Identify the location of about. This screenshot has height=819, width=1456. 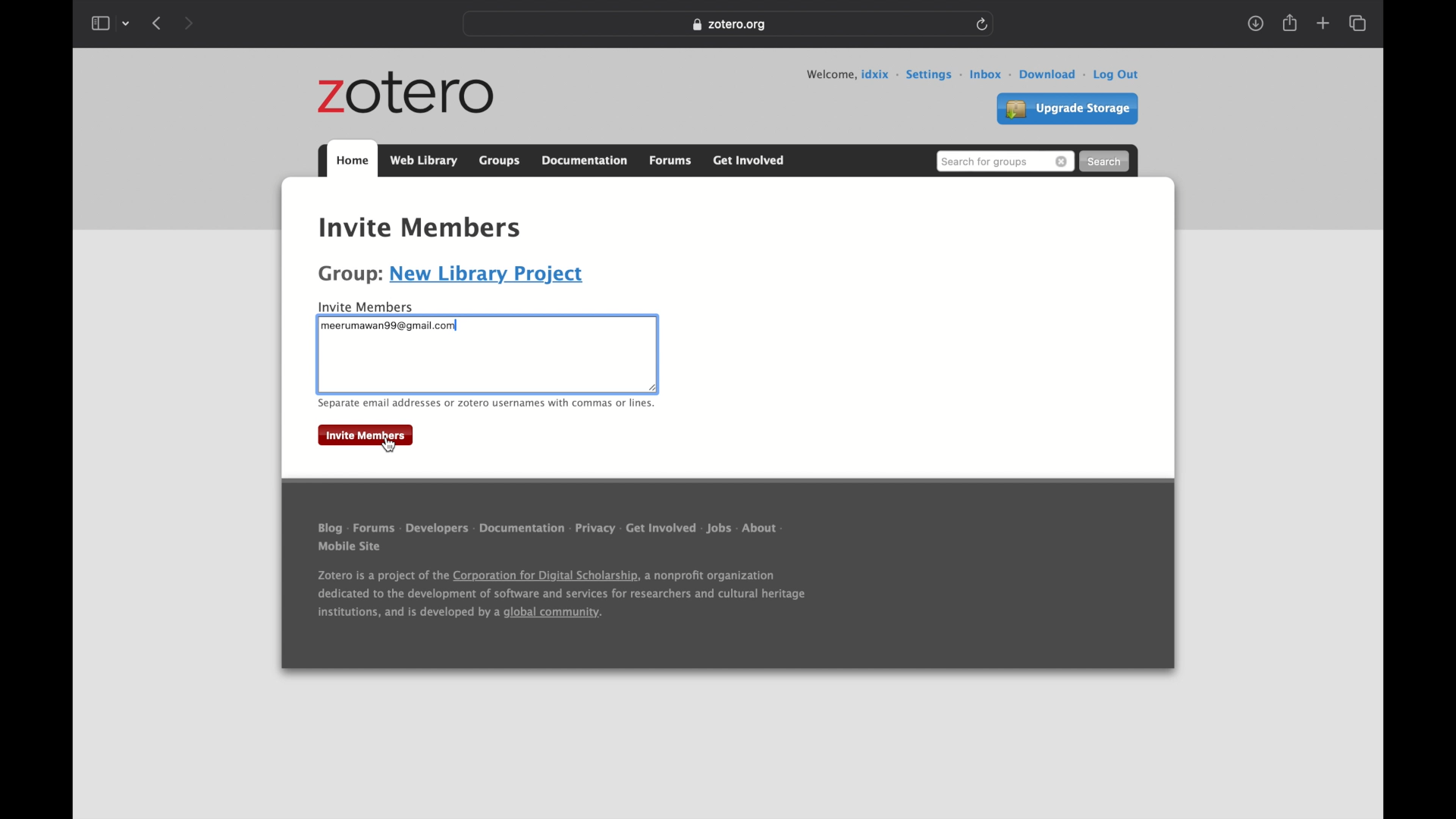
(763, 529).